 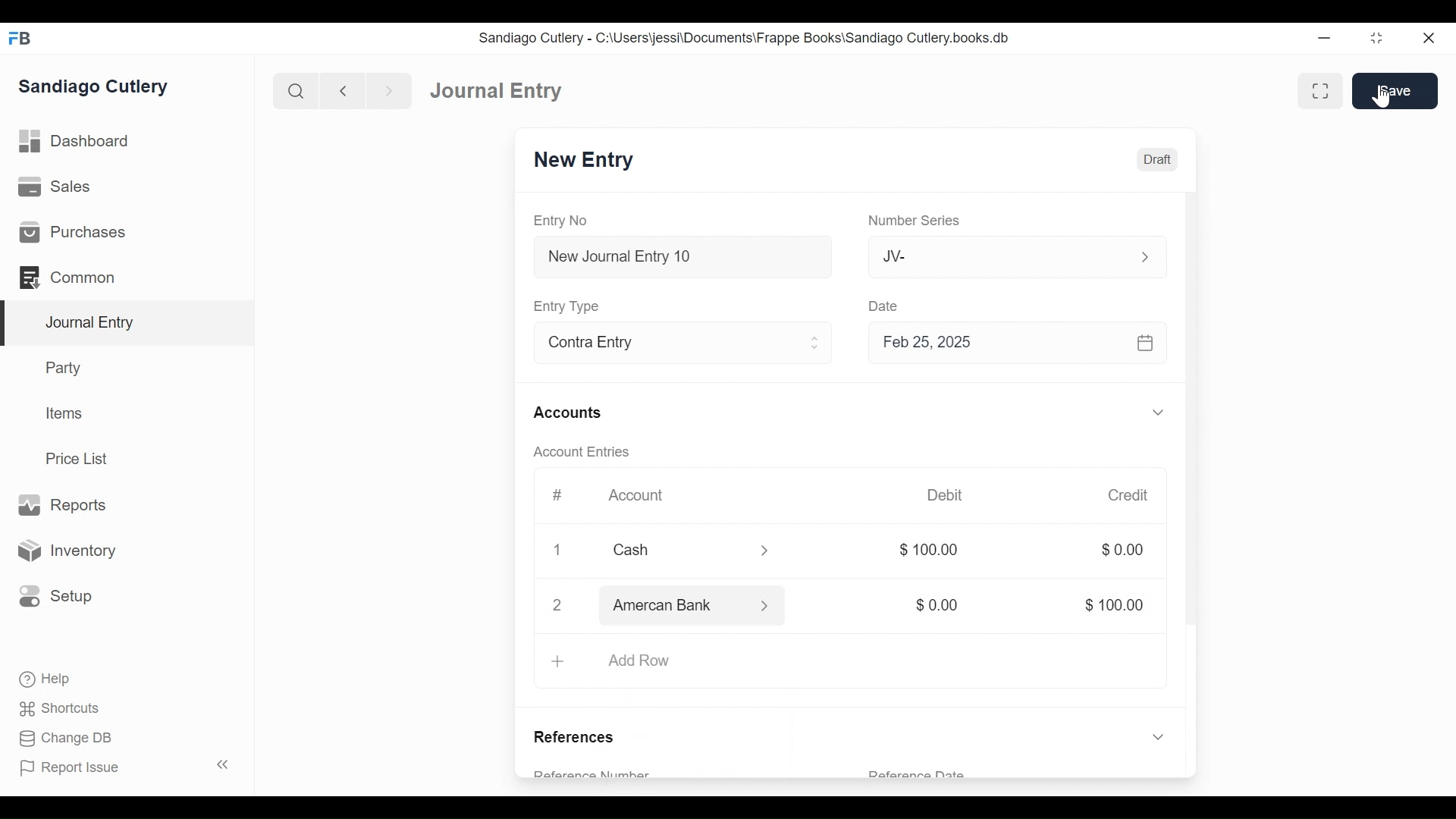 I want to click on Dashboard, so click(x=80, y=143).